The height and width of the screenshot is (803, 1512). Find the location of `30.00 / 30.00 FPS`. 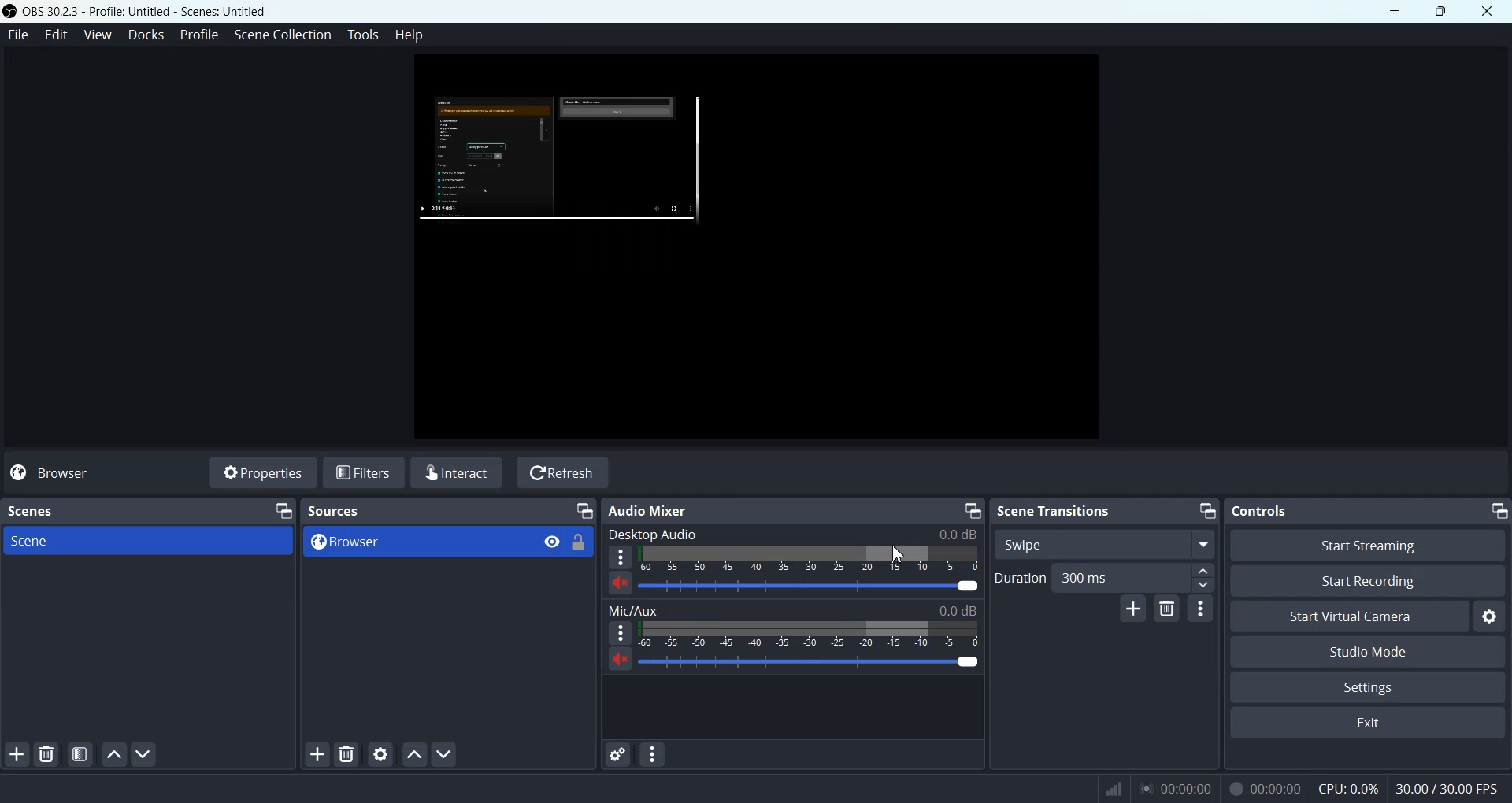

30.00 / 30.00 FPS is located at coordinates (1447, 787).